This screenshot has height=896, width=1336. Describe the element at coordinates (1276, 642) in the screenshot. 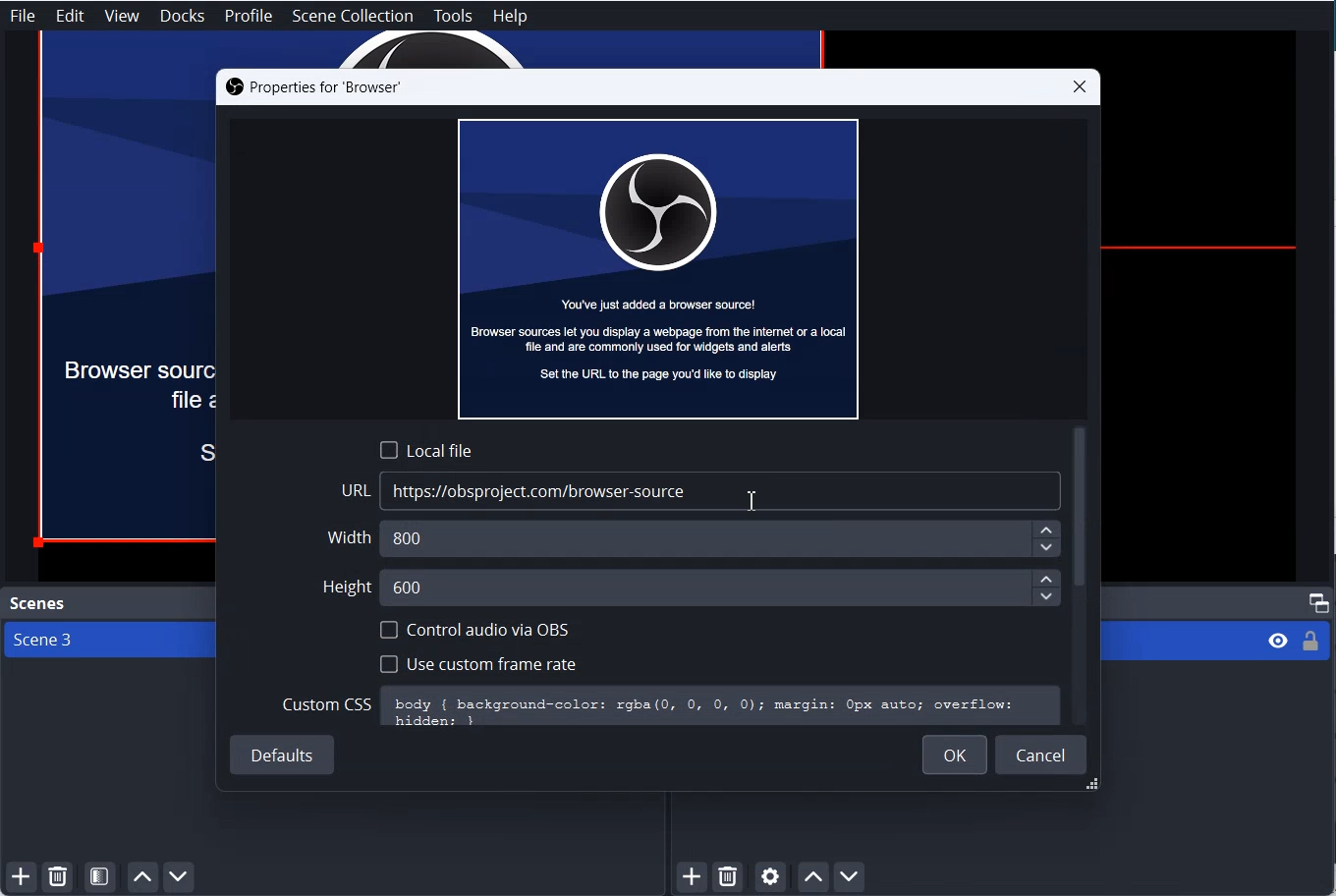

I see `Hide/Display` at that location.